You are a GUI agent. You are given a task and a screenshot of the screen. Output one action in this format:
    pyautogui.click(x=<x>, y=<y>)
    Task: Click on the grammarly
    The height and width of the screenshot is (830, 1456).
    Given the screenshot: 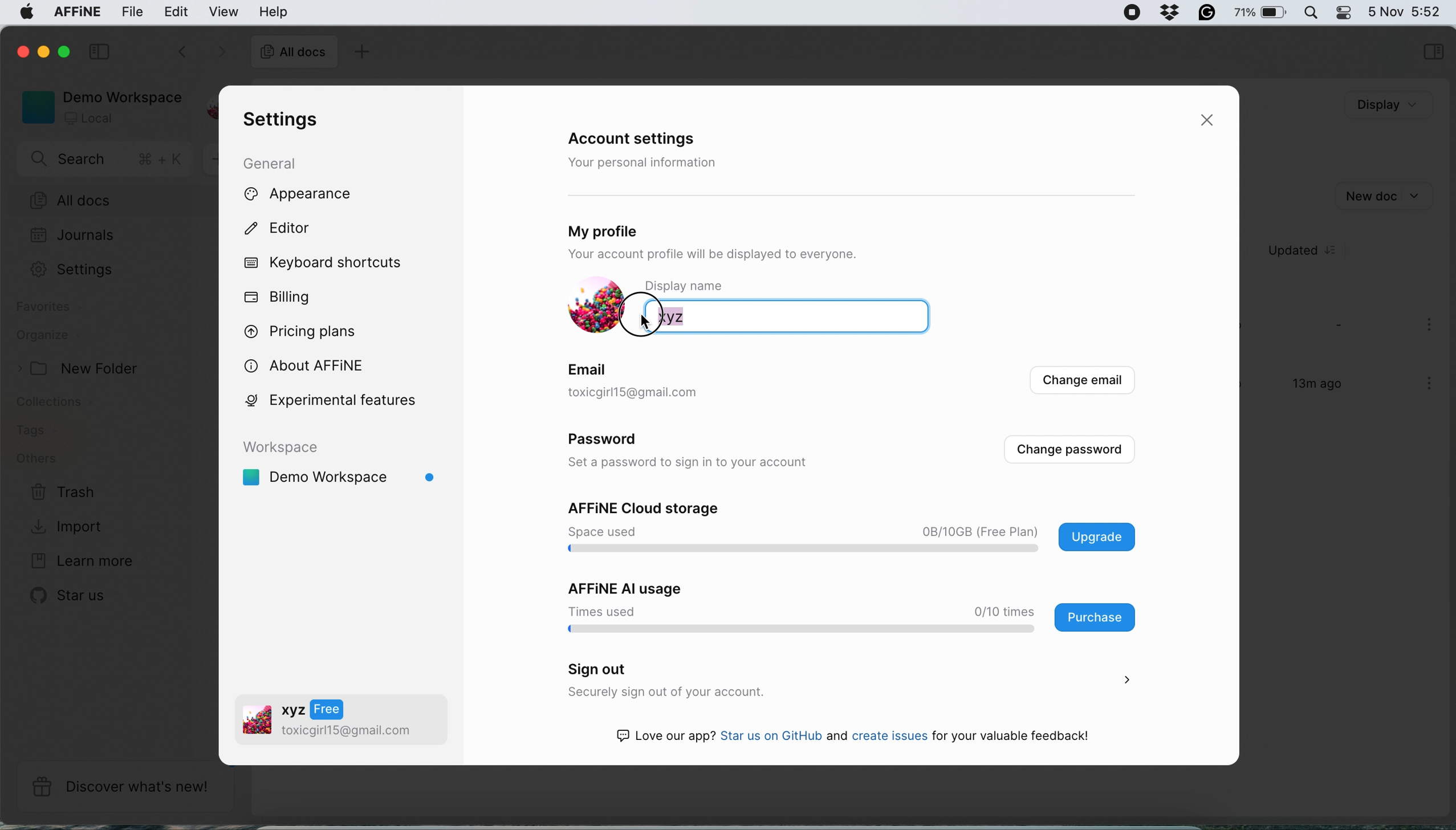 What is the action you would take?
    pyautogui.click(x=1166, y=11)
    